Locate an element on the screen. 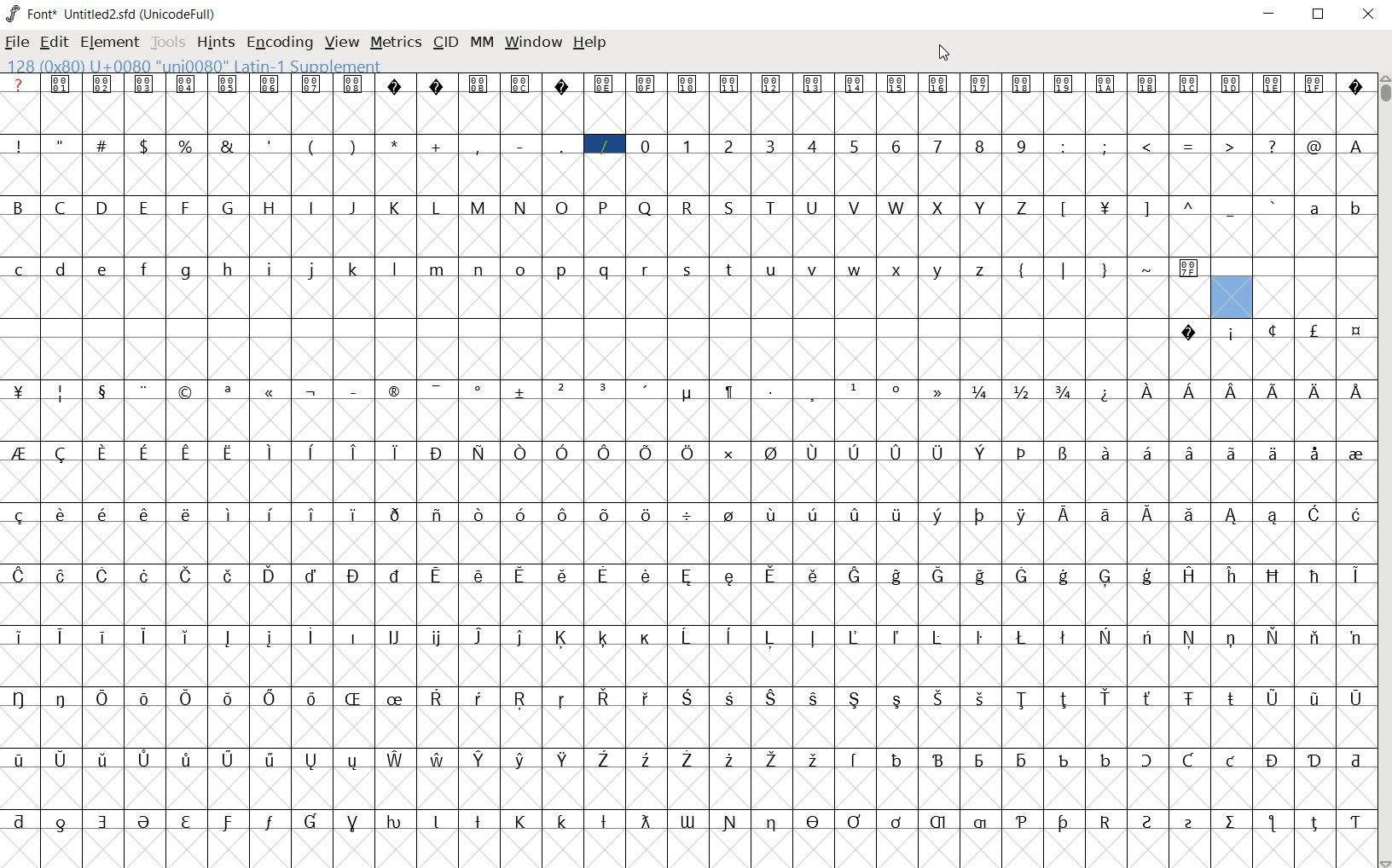 This screenshot has width=1392, height=868. glyph is located at coordinates (1106, 394).